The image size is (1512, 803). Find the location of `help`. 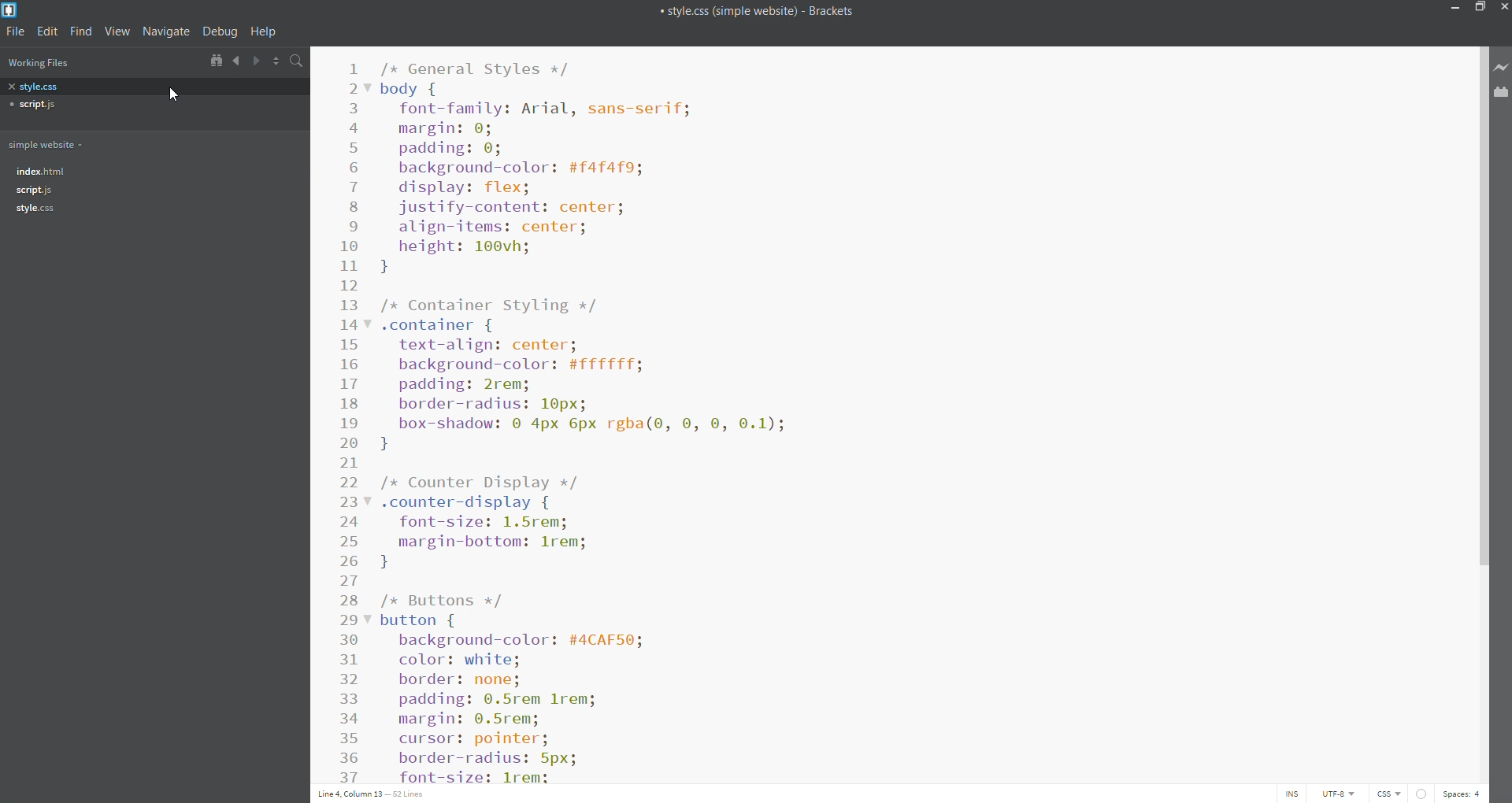

help is located at coordinates (265, 31).